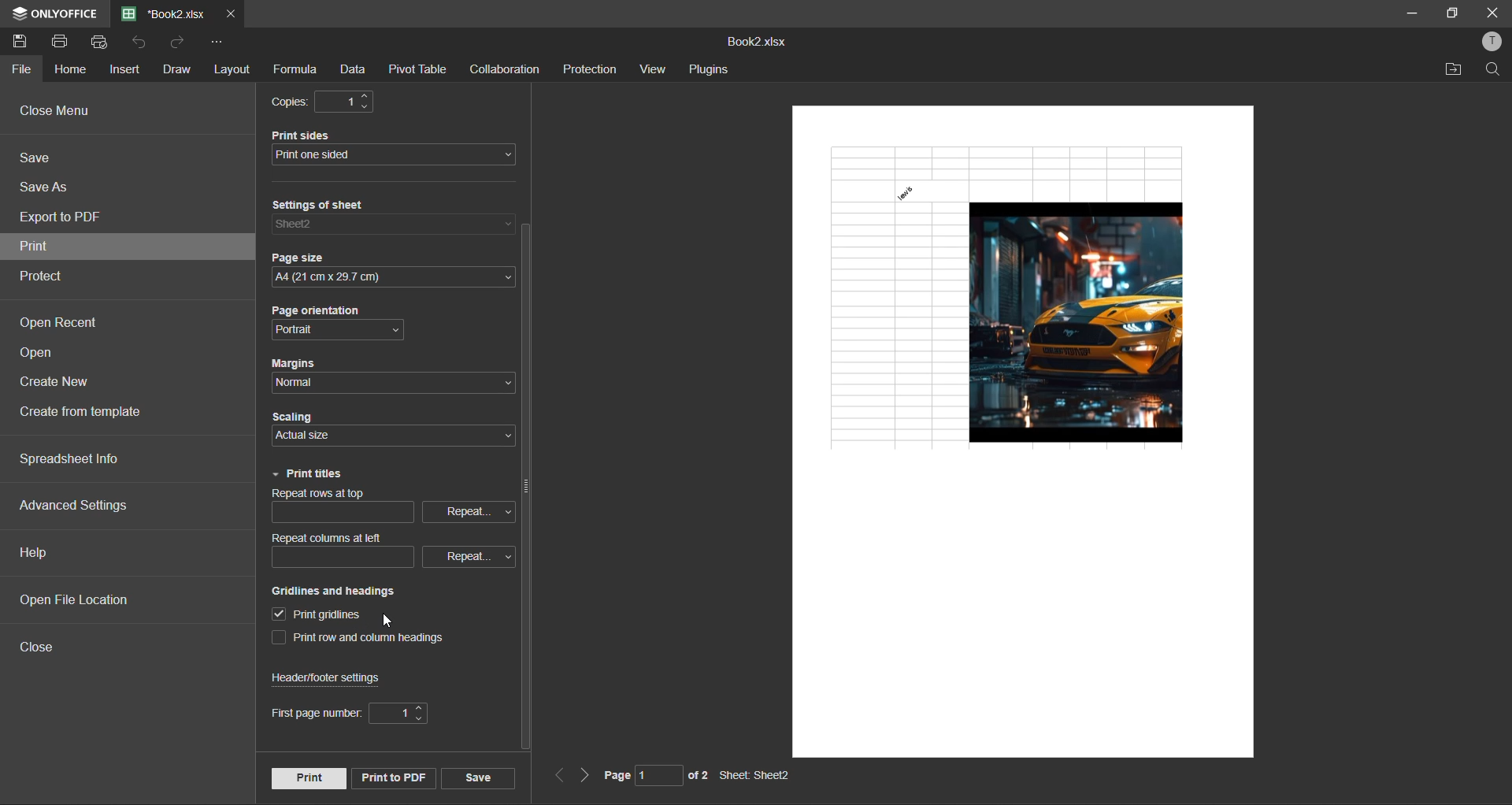 The width and height of the screenshot is (1512, 805). Describe the element at coordinates (69, 72) in the screenshot. I see `home` at that location.